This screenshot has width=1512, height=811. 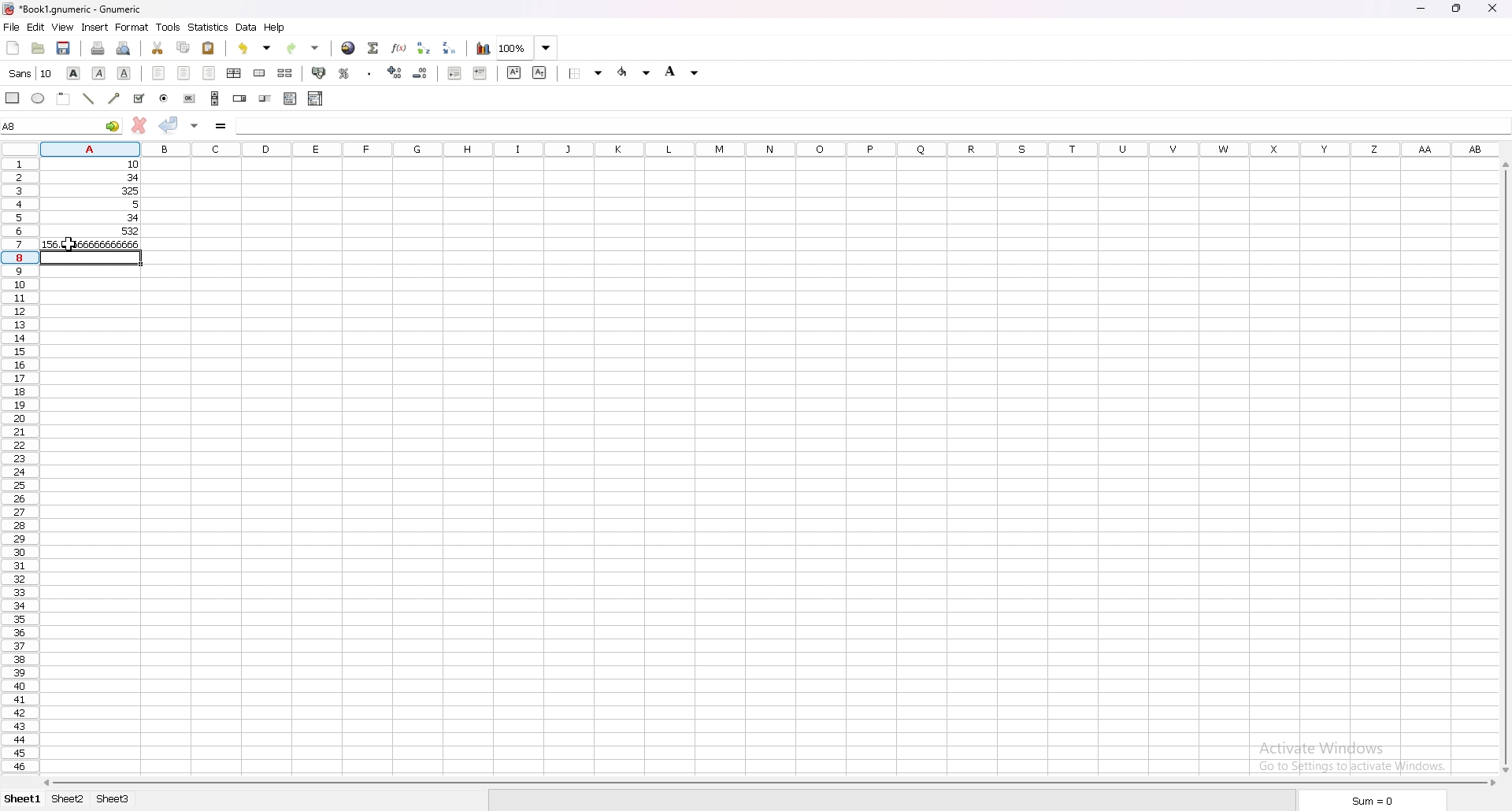 What do you see at coordinates (94, 190) in the screenshot?
I see `325` at bounding box center [94, 190].